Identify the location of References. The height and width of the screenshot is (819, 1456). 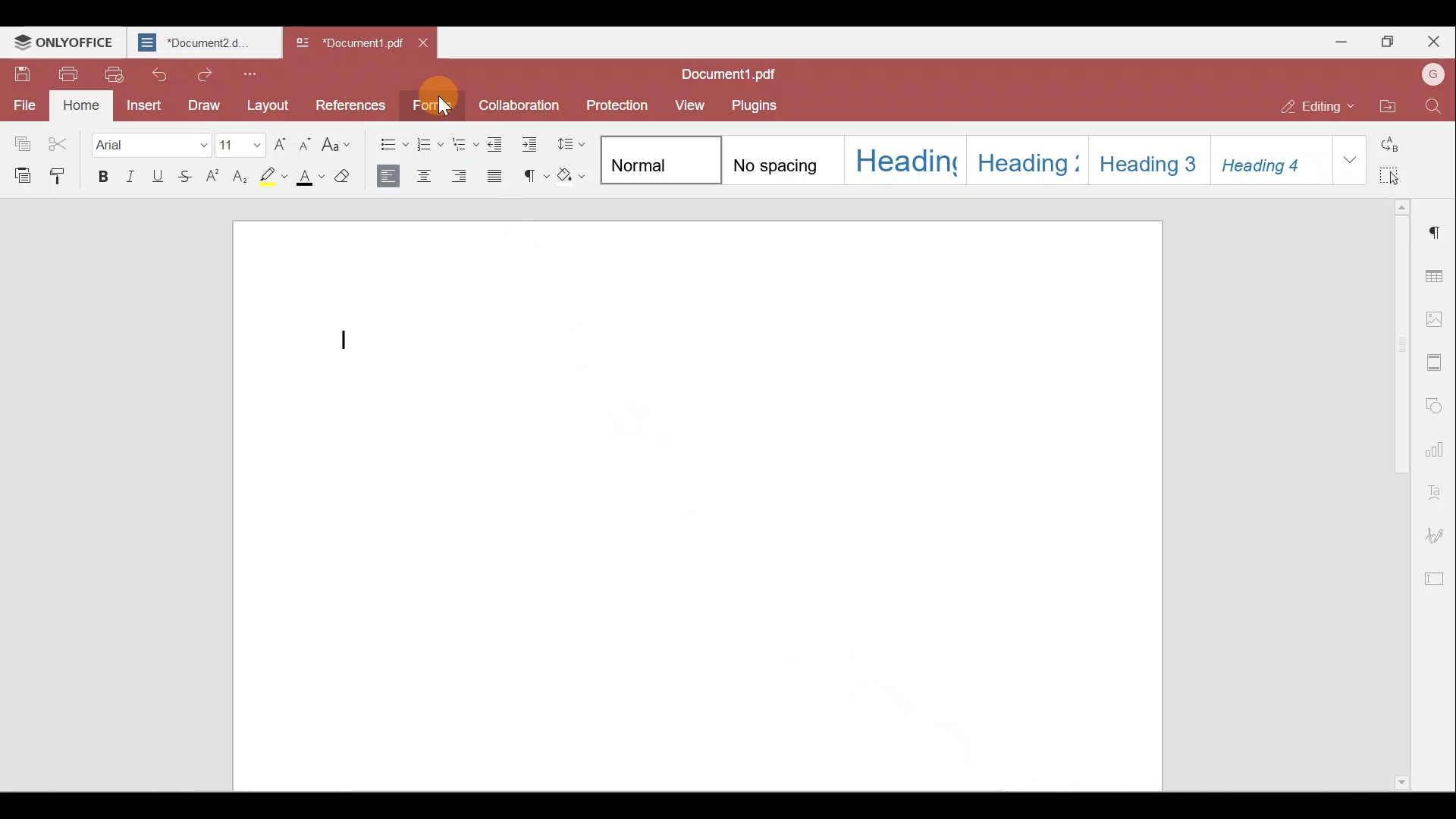
(347, 104).